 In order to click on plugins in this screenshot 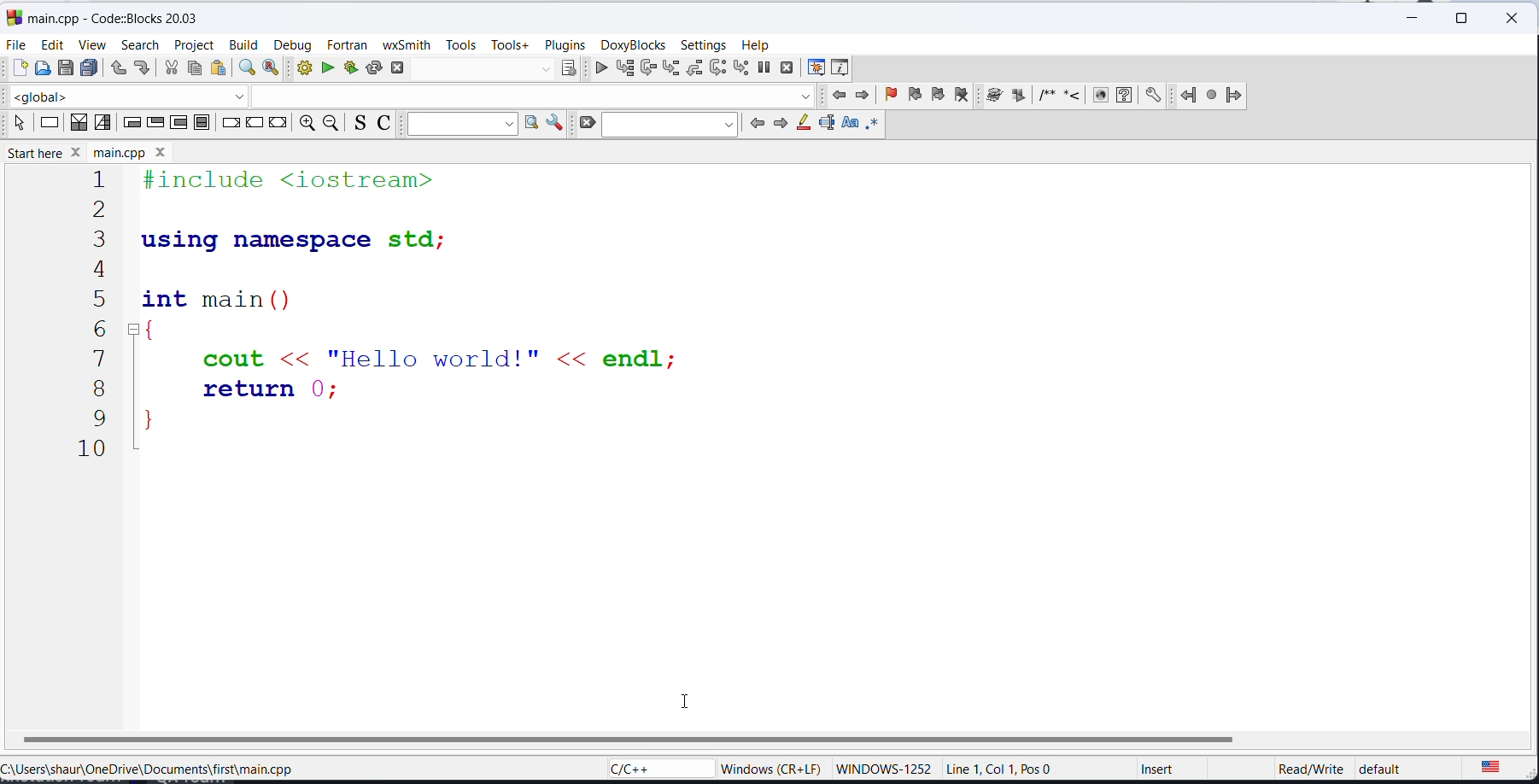, I will do `click(565, 44)`.